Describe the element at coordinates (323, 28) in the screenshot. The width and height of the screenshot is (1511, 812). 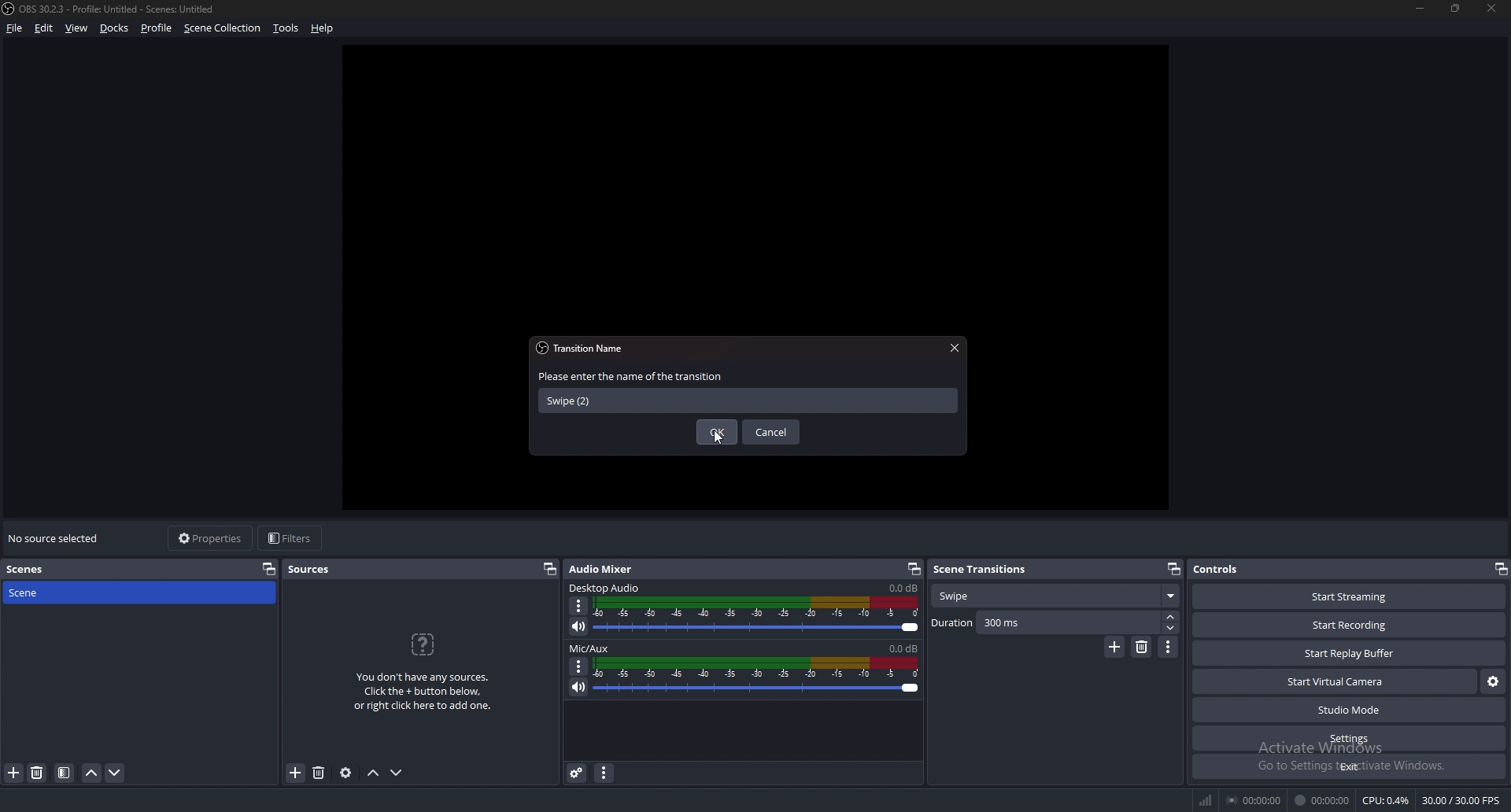
I see `help` at that location.